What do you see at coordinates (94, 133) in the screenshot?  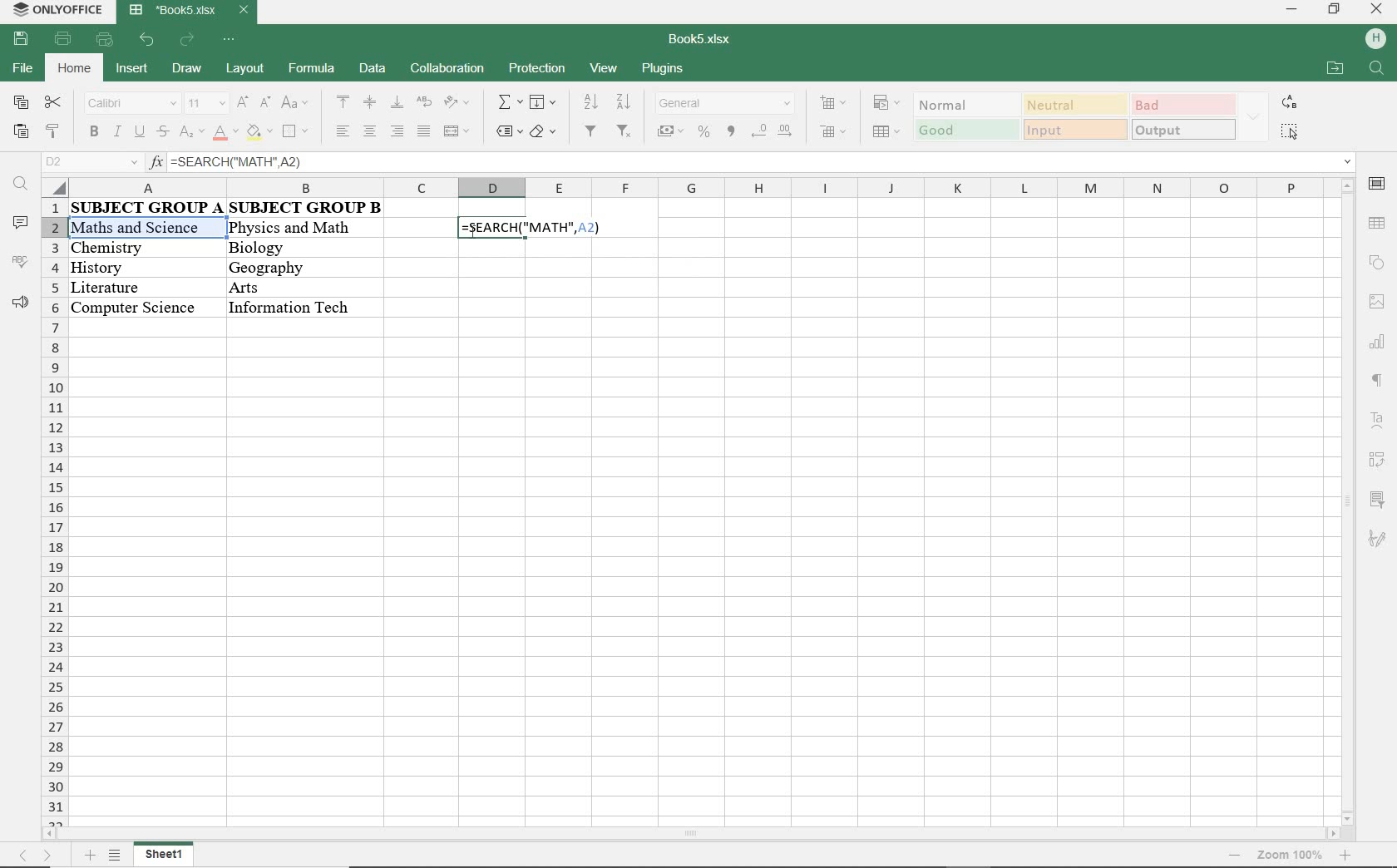 I see `bold` at bounding box center [94, 133].